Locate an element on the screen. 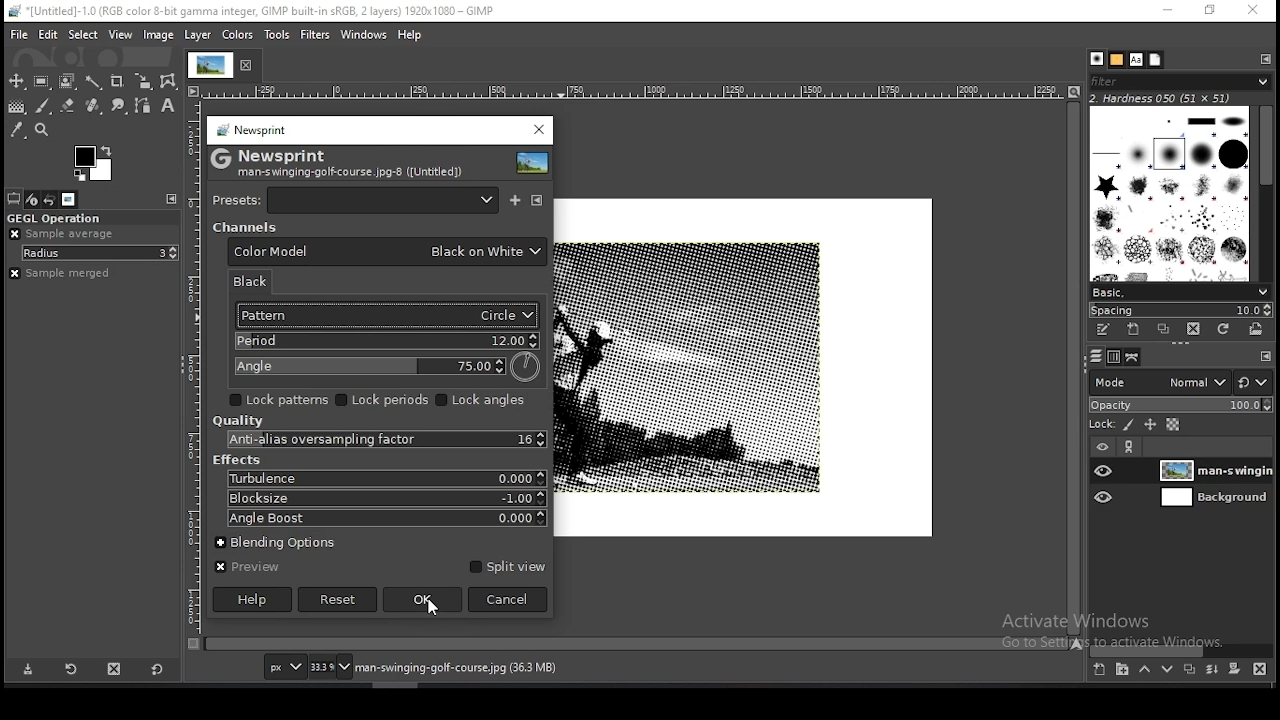 Image resolution: width=1280 pixels, height=720 pixels. paths tool is located at coordinates (141, 105).